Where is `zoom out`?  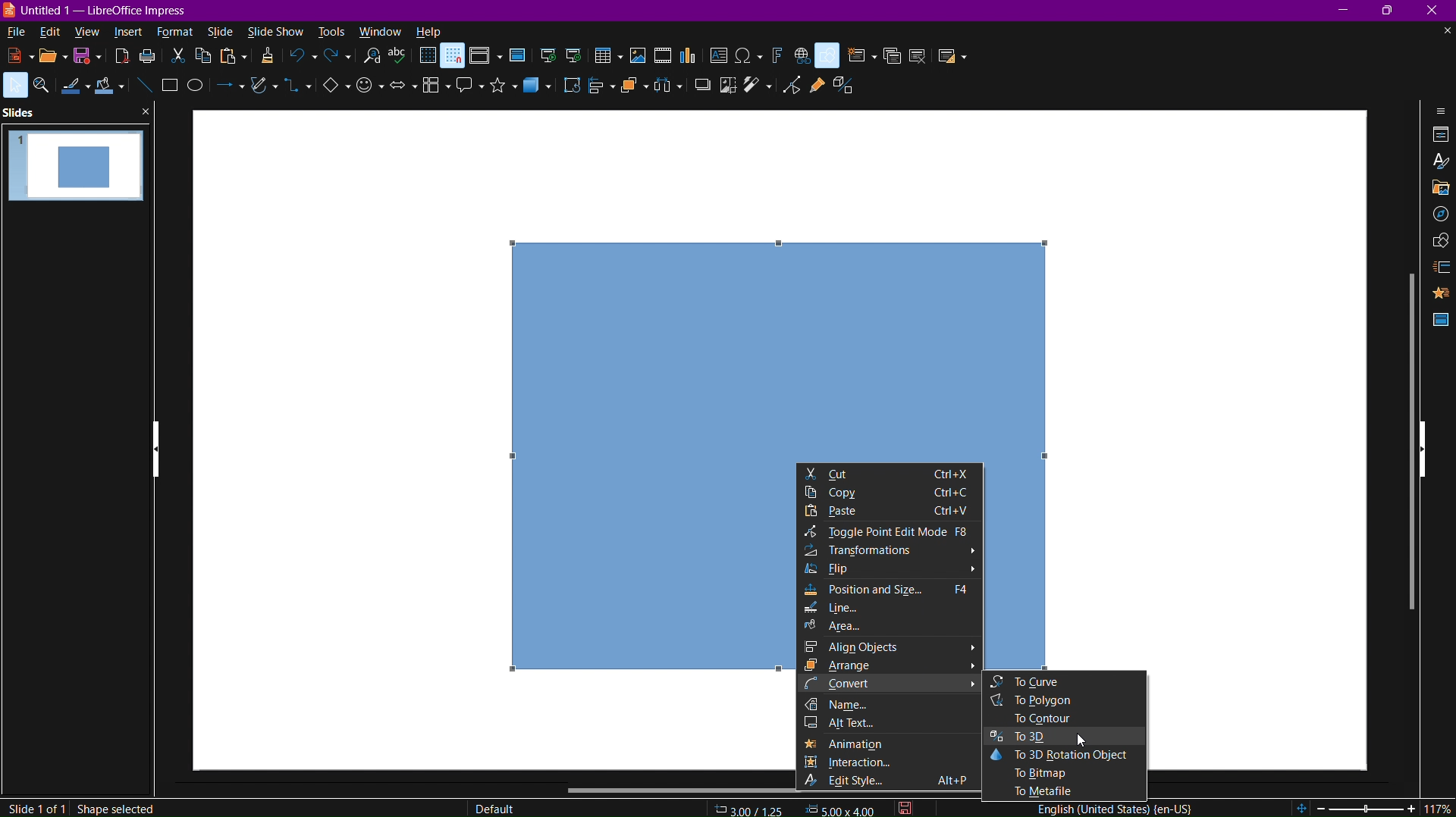 zoom out is located at coordinates (1321, 808).